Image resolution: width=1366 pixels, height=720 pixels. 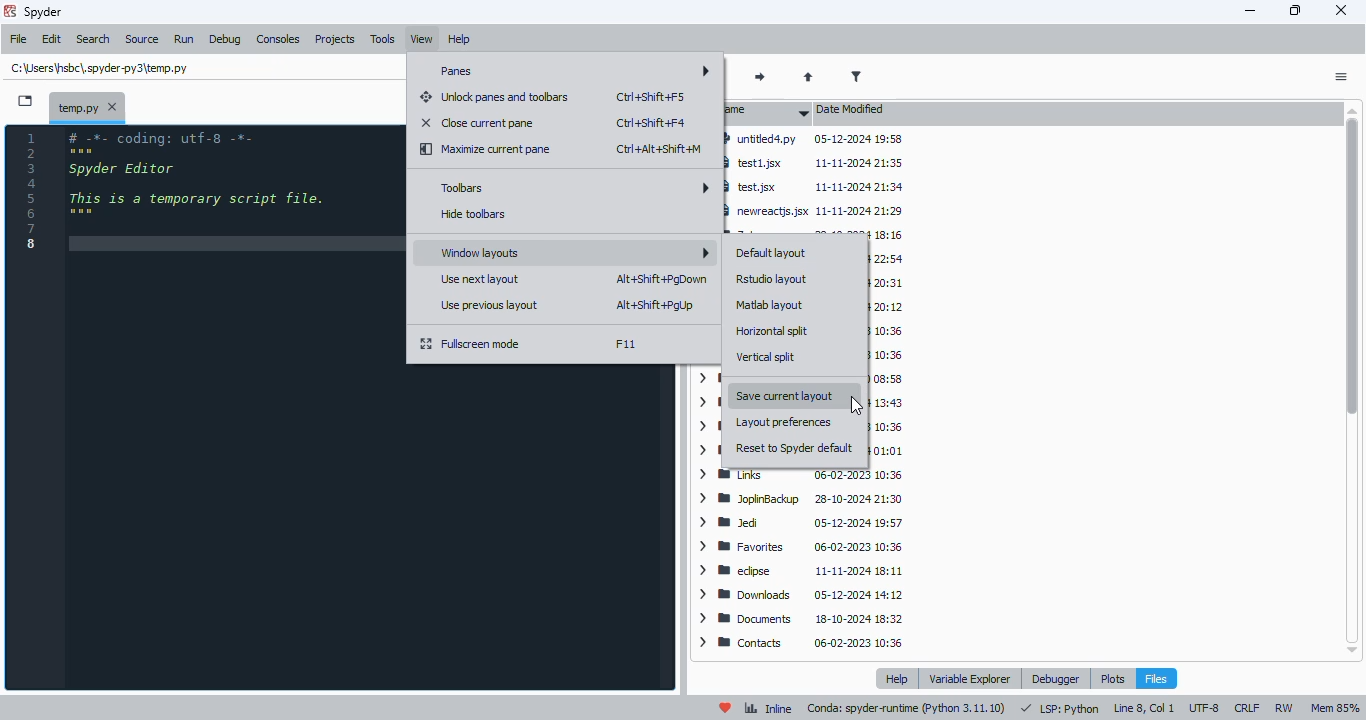 What do you see at coordinates (795, 448) in the screenshot?
I see `reset to spyder default` at bounding box center [795, 448].